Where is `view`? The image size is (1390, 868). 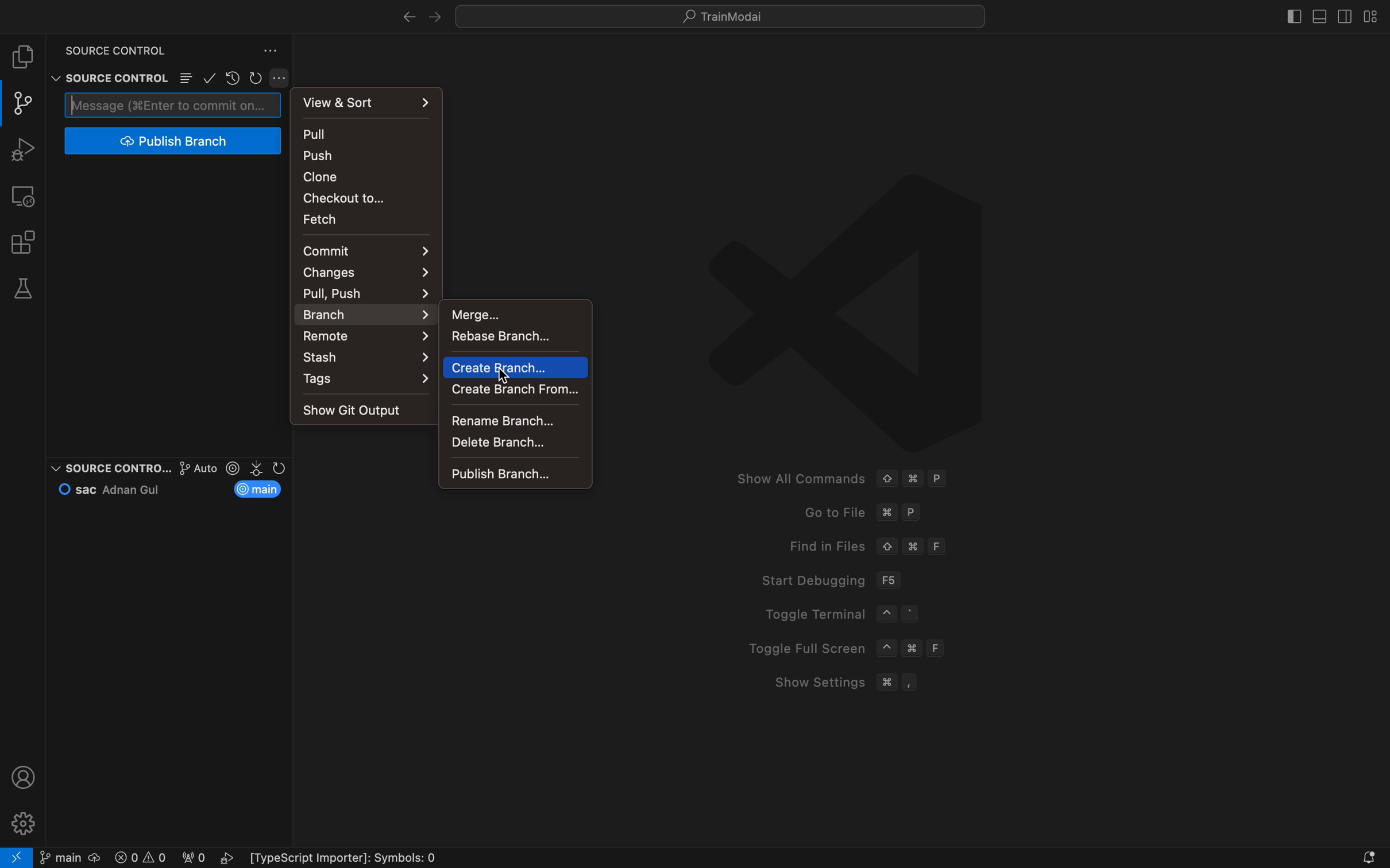 view is located at coordinates (369, 100).